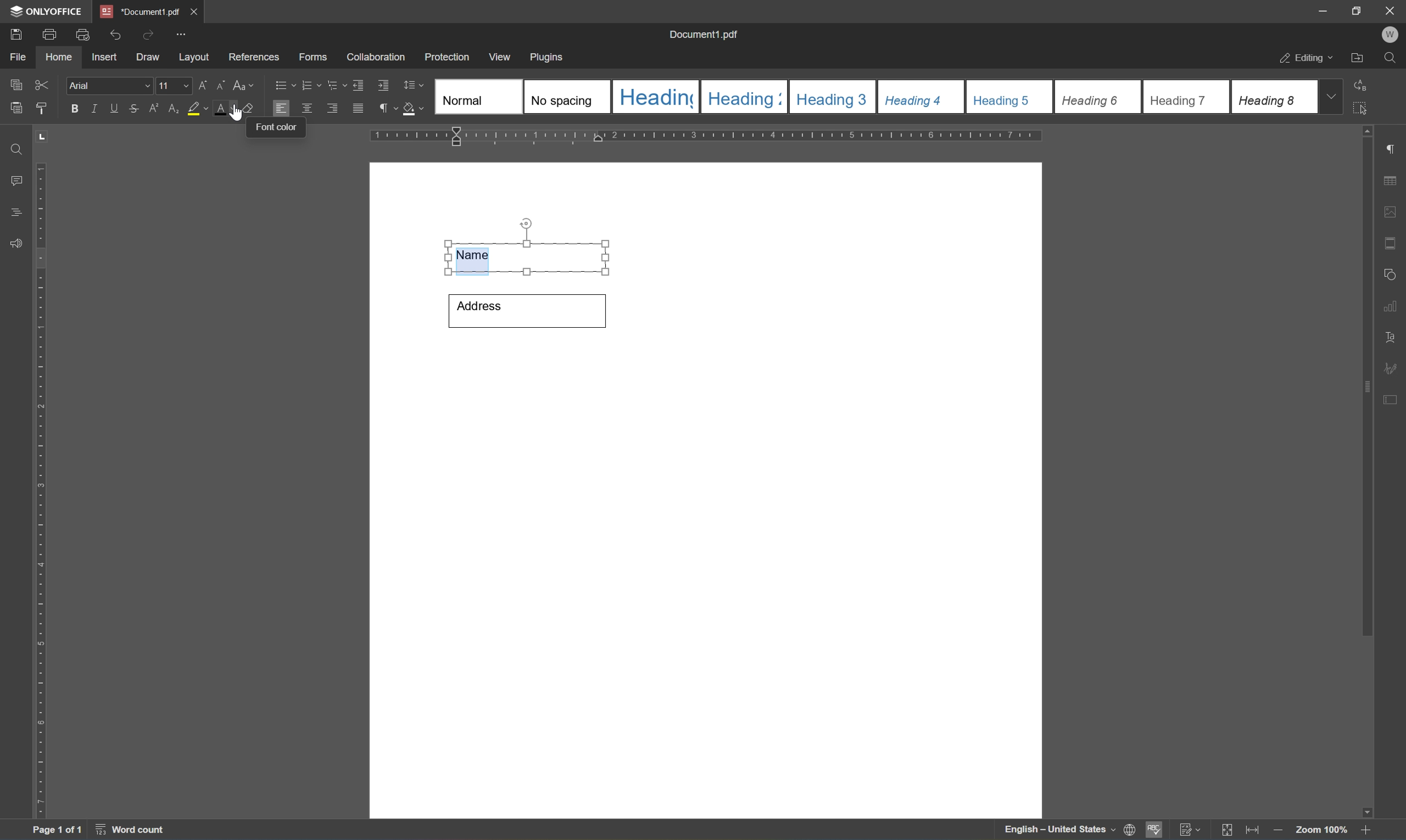 Image resolution: width=1406 pixels, height=840 pixels. Describe the element at coordinates (377, 59) in the screenshot. I see `collaboration` at that location.